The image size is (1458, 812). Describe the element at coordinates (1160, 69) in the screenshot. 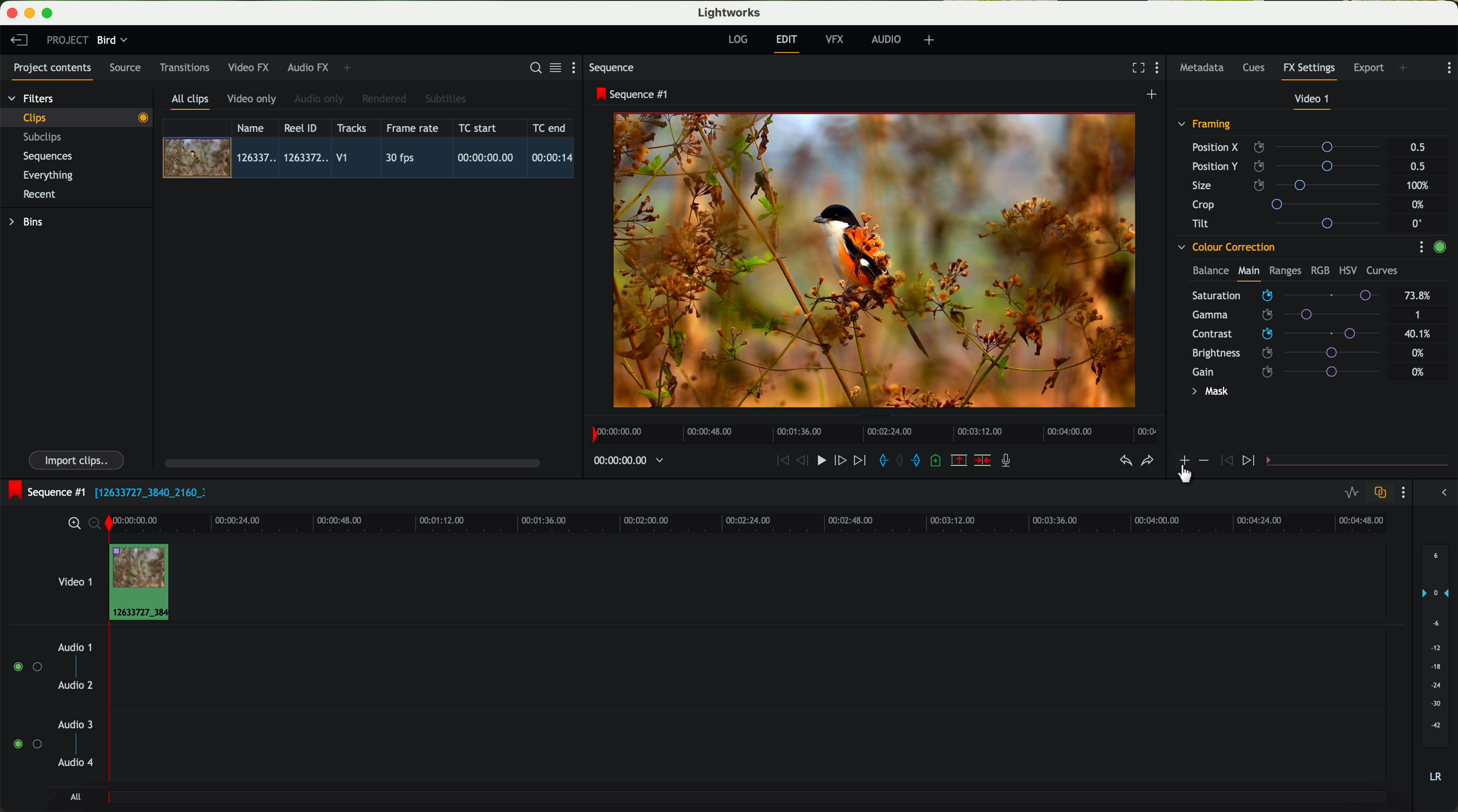

I see `show settings menu` at that location.